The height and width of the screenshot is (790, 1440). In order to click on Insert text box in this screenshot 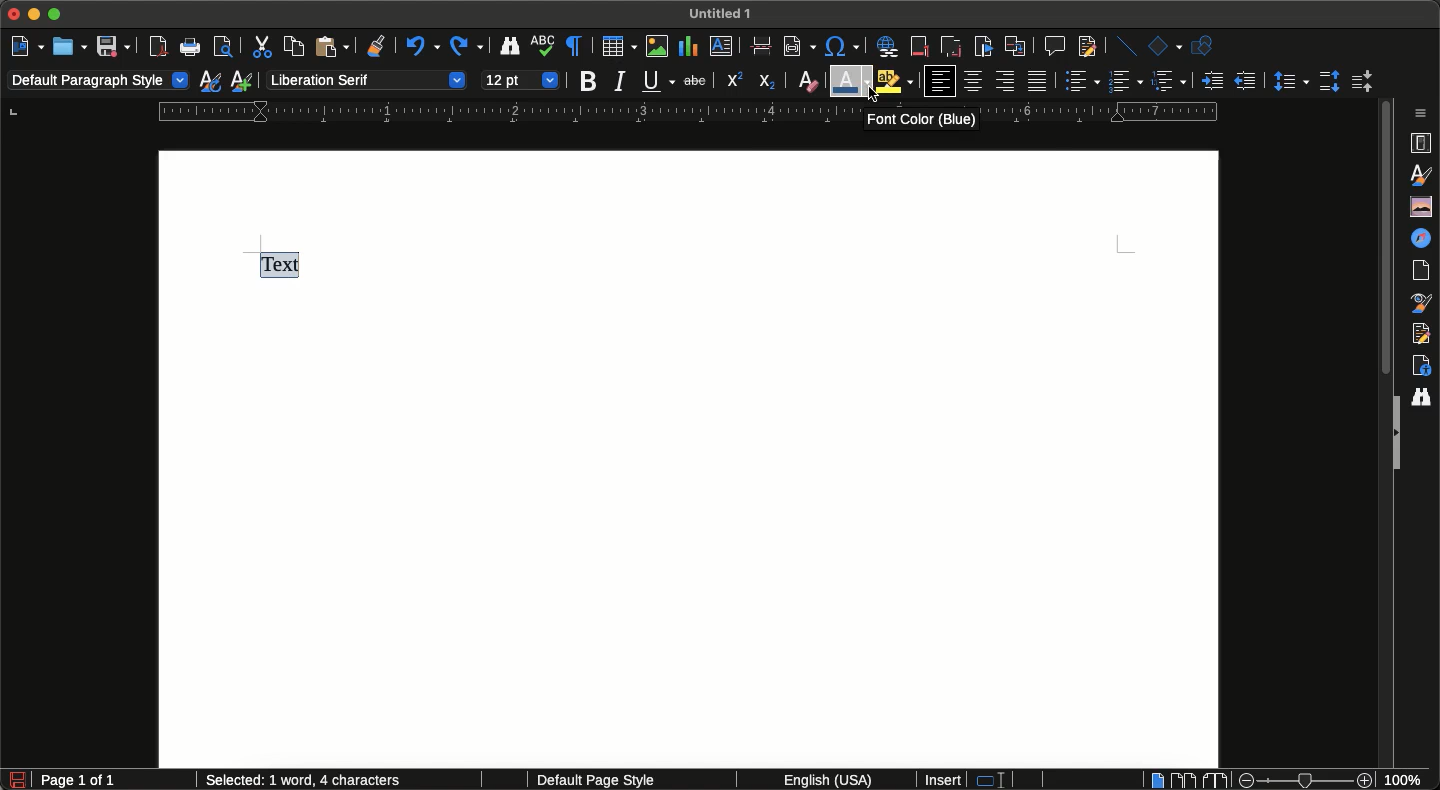, I will do `click(726, 49)`.